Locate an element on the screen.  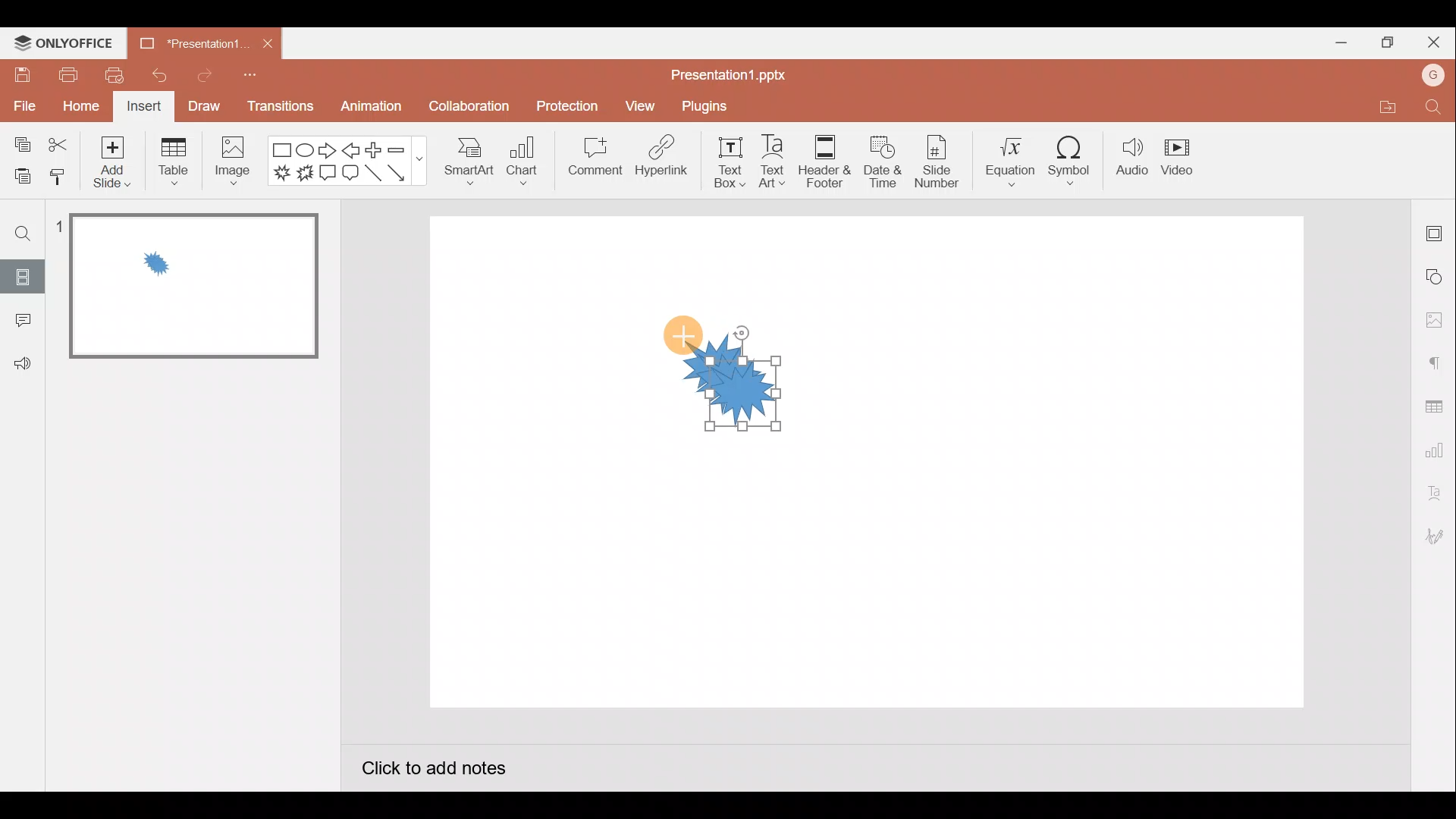
Text box is located at coordinates (719, 163).